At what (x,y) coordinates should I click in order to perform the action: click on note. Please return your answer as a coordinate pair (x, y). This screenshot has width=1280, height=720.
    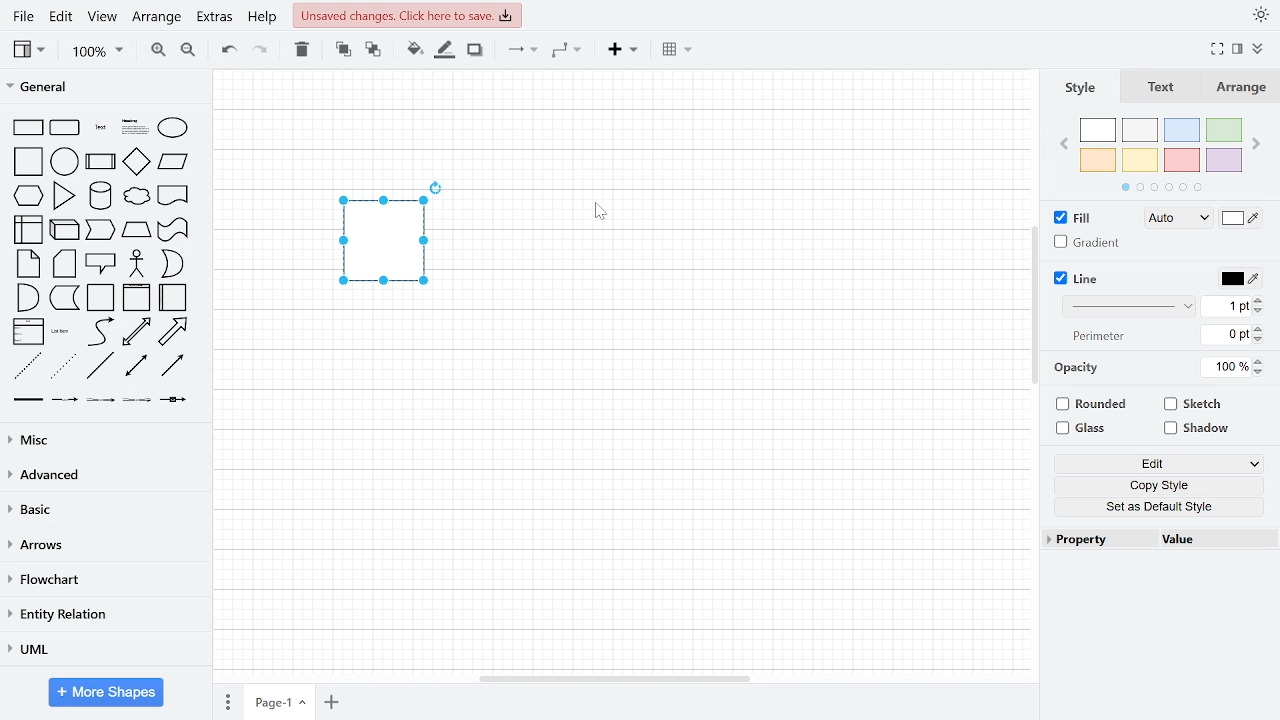
    Looking at the image, I should click on (27, 264).